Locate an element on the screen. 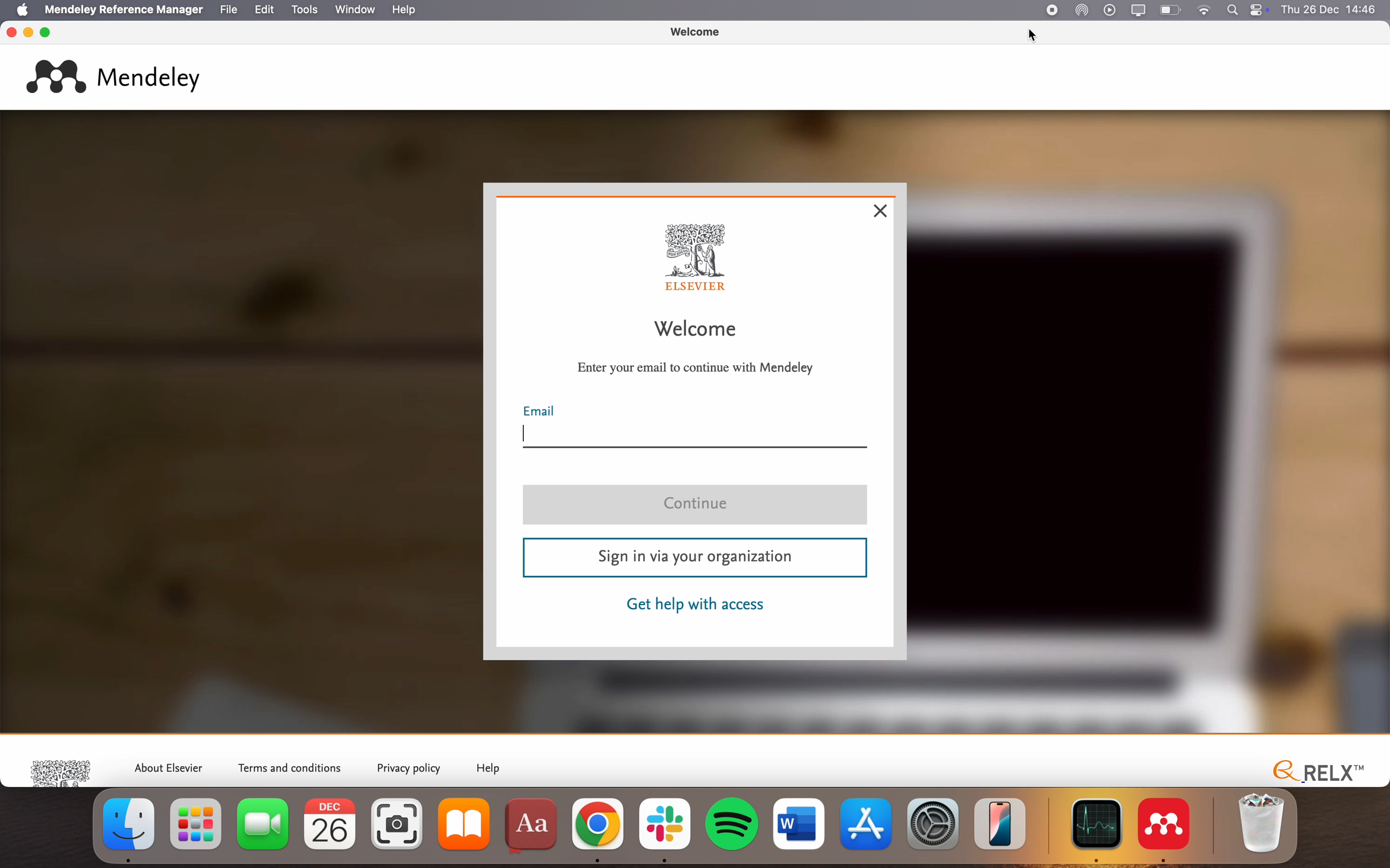 This screenshot has width=1390, height=868. minimize is located at coordinates (30, 33).